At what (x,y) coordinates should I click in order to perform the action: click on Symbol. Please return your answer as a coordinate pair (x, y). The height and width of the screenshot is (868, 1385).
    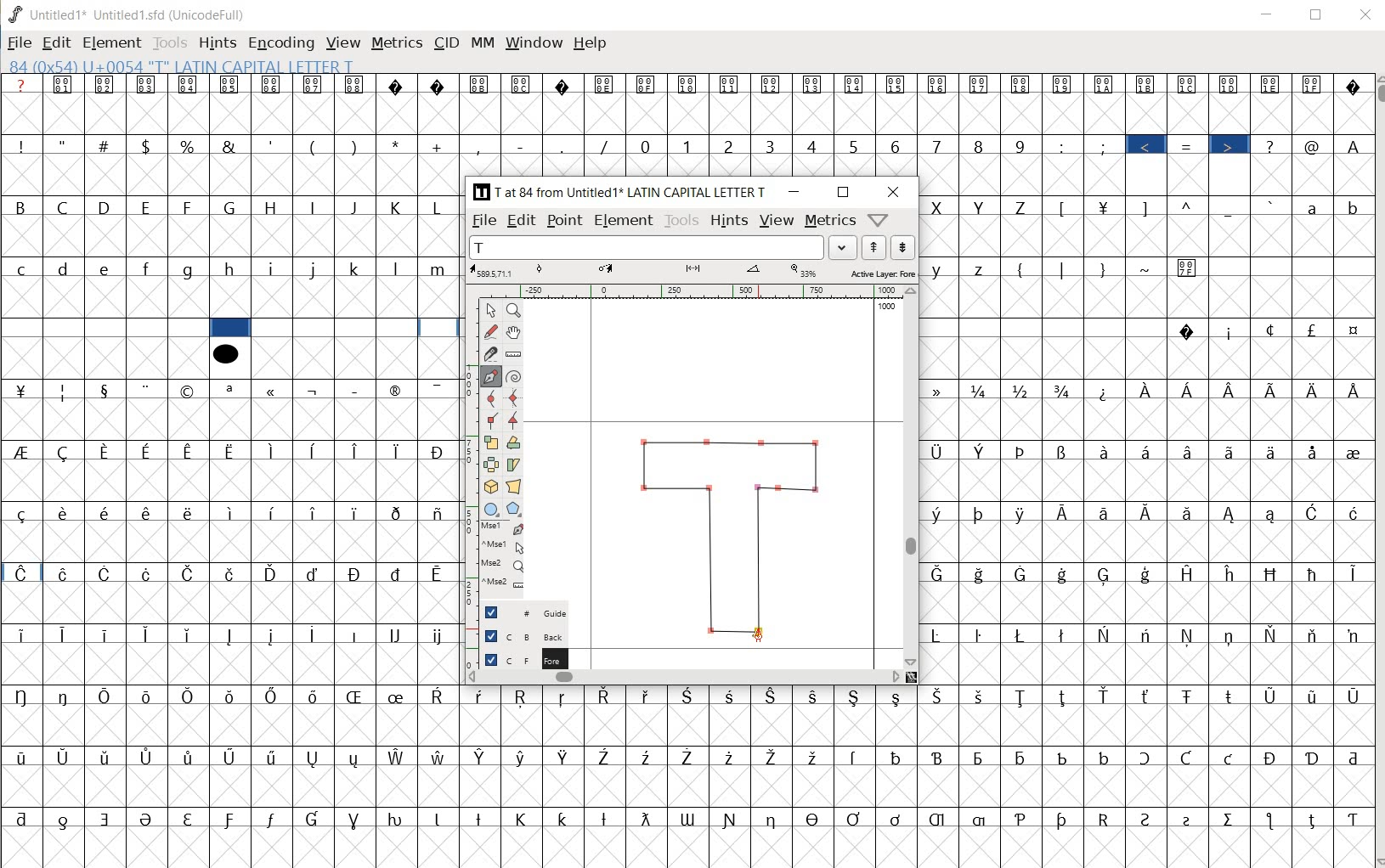
    Looking at the image, I should click on (1025, 513).